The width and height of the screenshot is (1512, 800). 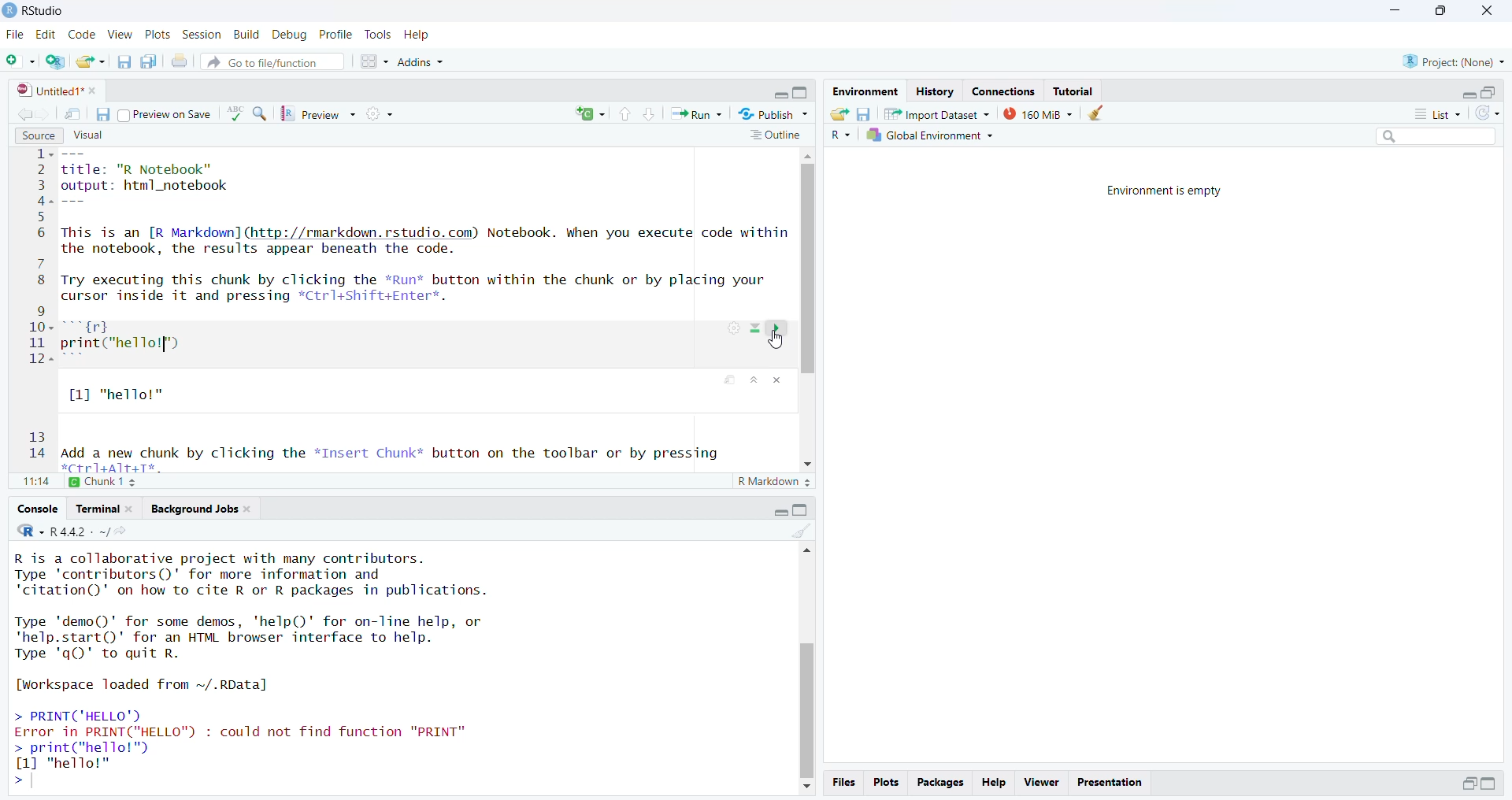 What do you see at coordinates (1487, 114) in the screenshot?
I see `refresh list` at bounding box center [1487, 114].